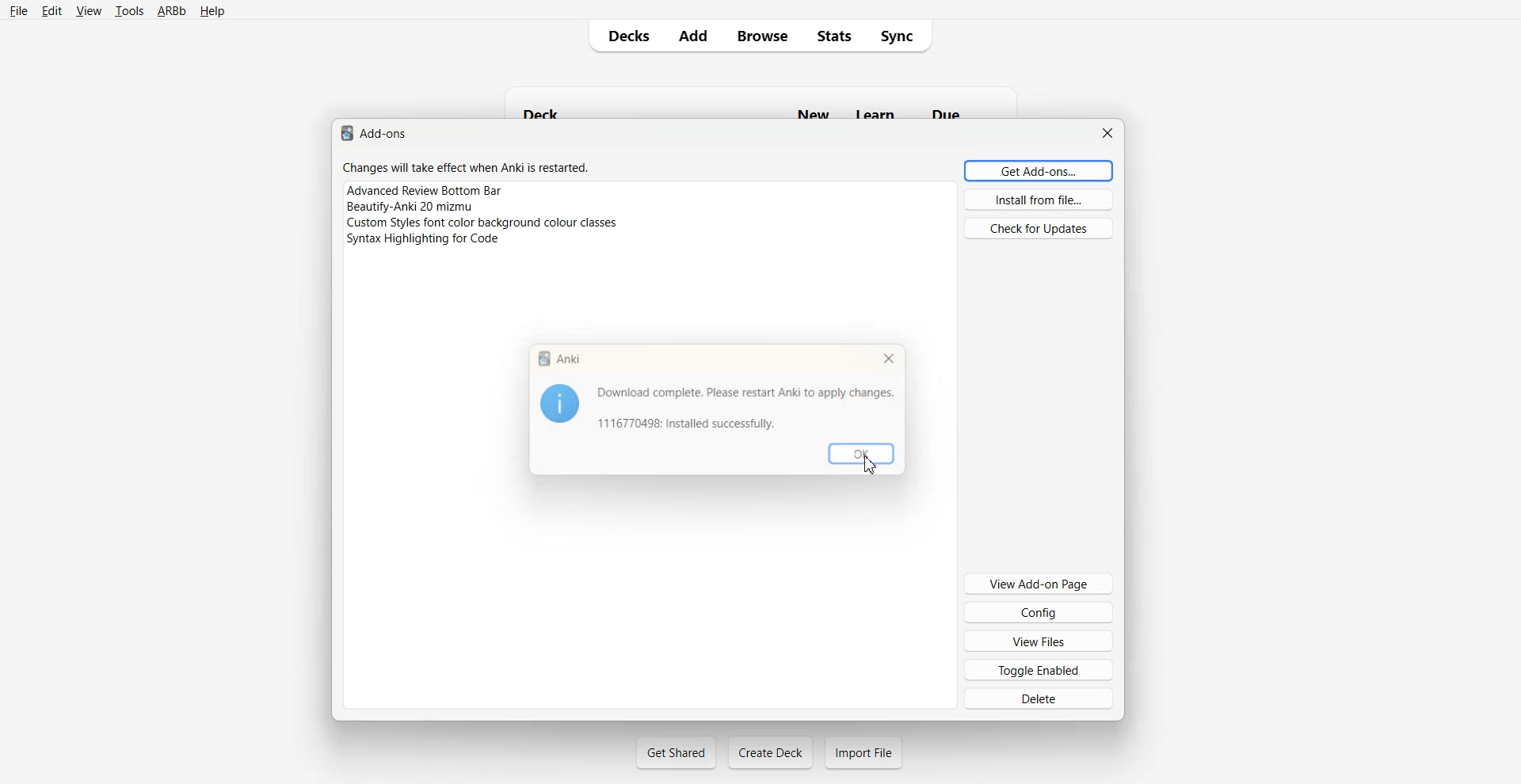  I want to click on Toggle Enabled, so click(1039, 668).